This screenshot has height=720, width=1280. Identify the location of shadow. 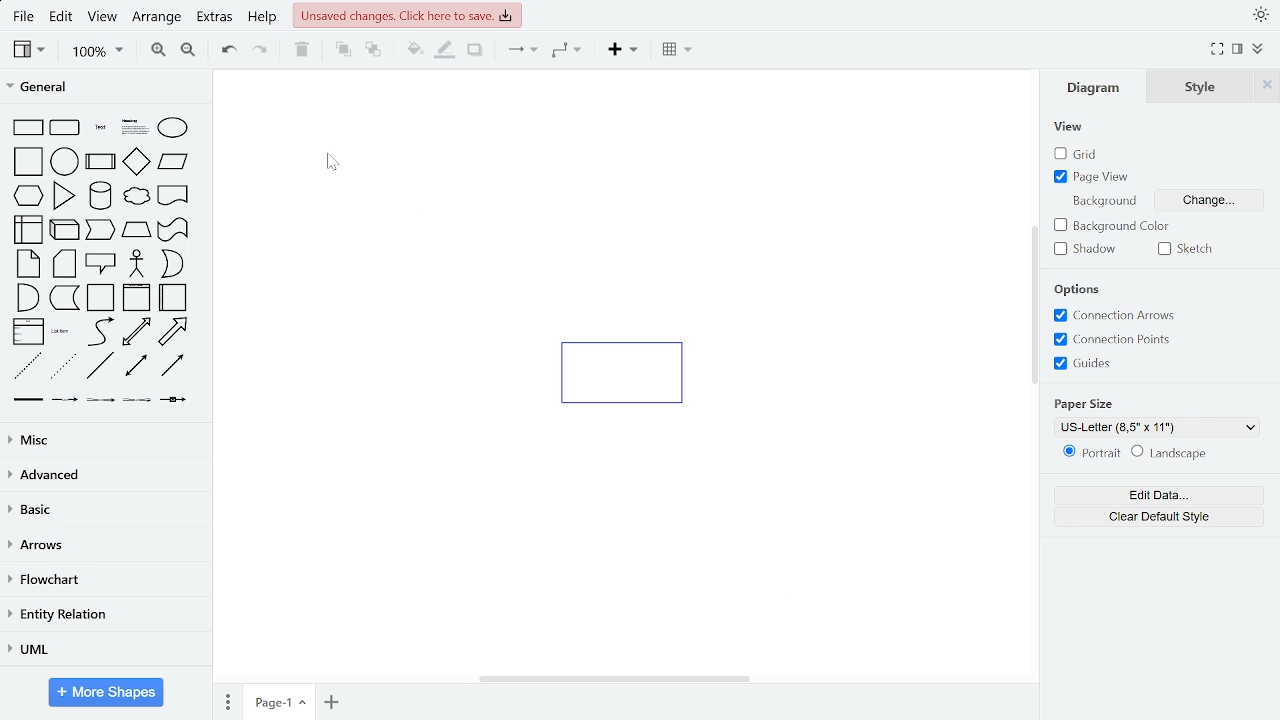
(475, 52).